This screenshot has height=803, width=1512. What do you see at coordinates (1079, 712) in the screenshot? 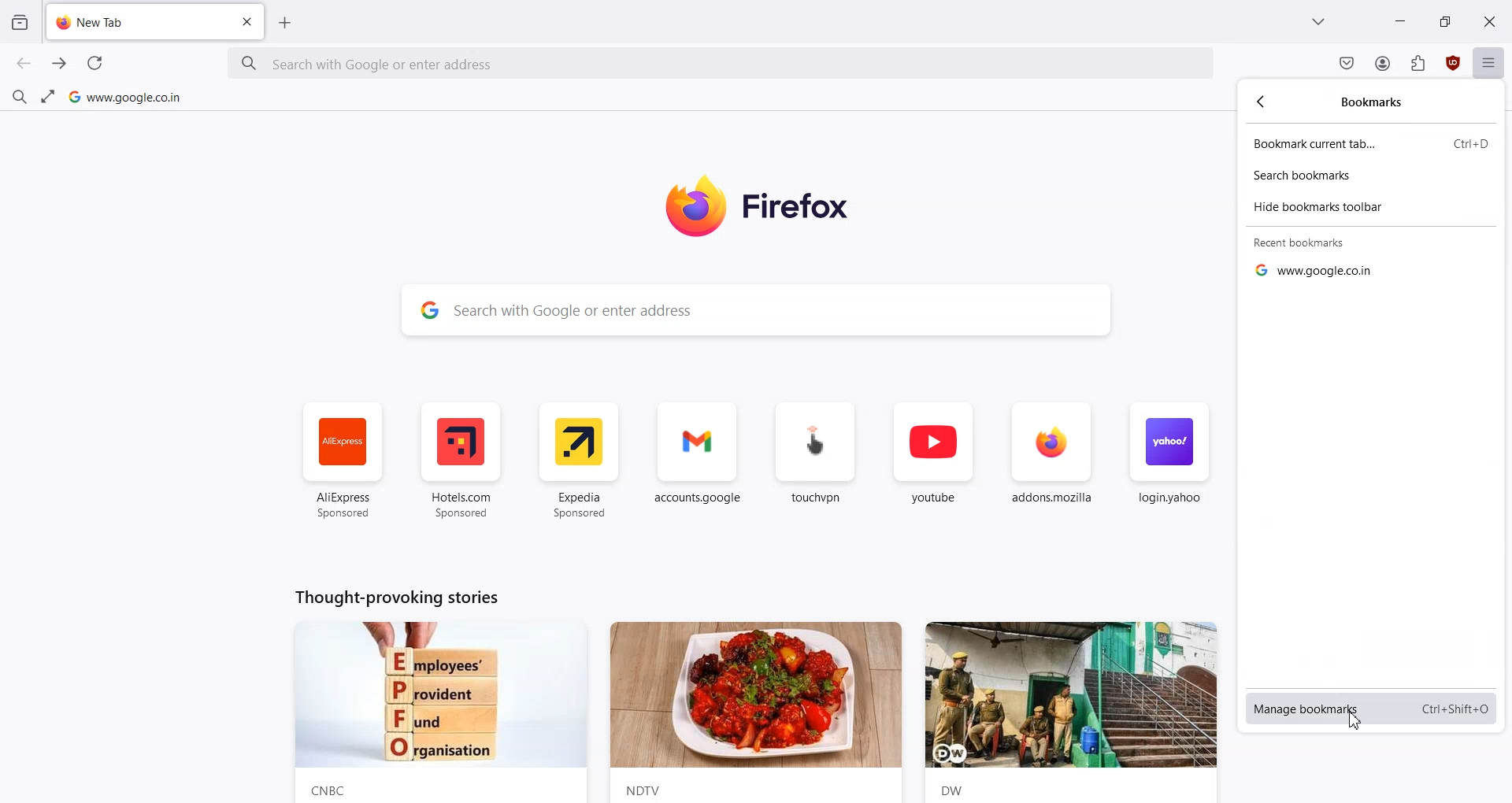
I see `News` at bounding box center [1079, 712].